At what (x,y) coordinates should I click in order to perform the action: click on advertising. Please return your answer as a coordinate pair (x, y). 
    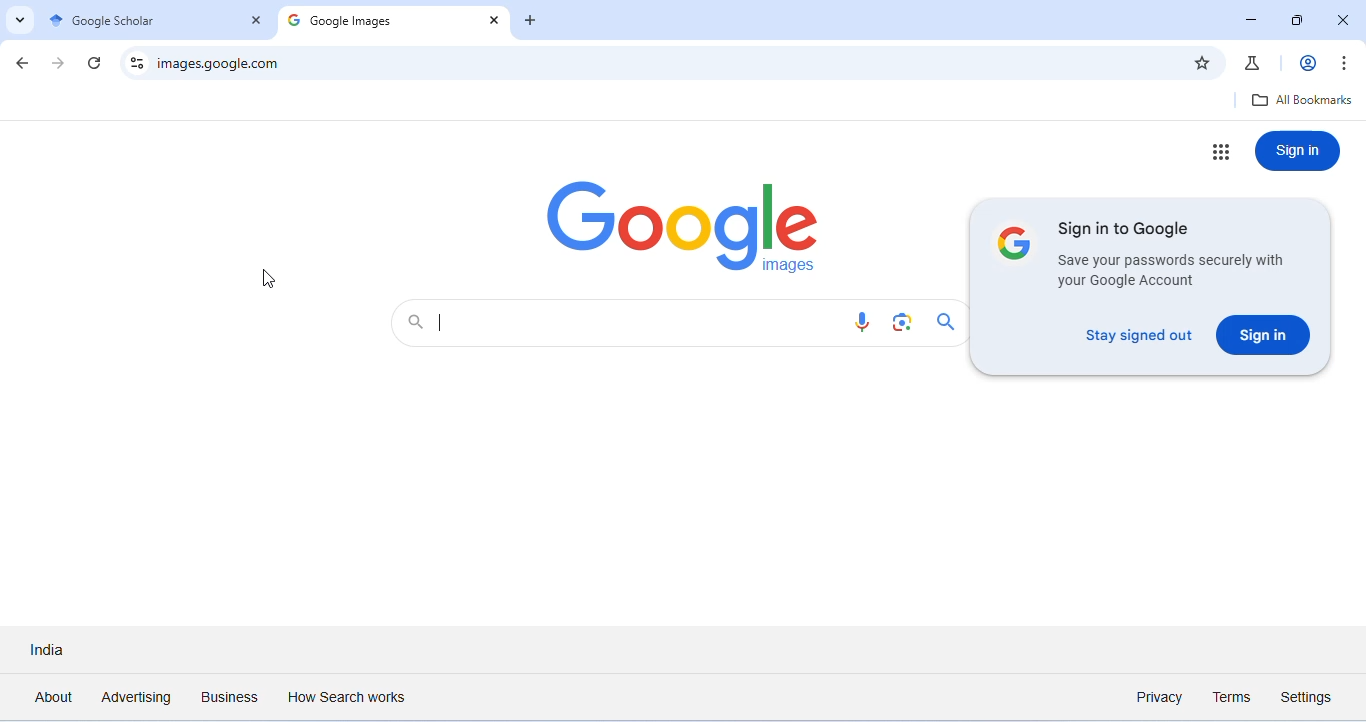
    Looking at the image, I should click on (137, 695).